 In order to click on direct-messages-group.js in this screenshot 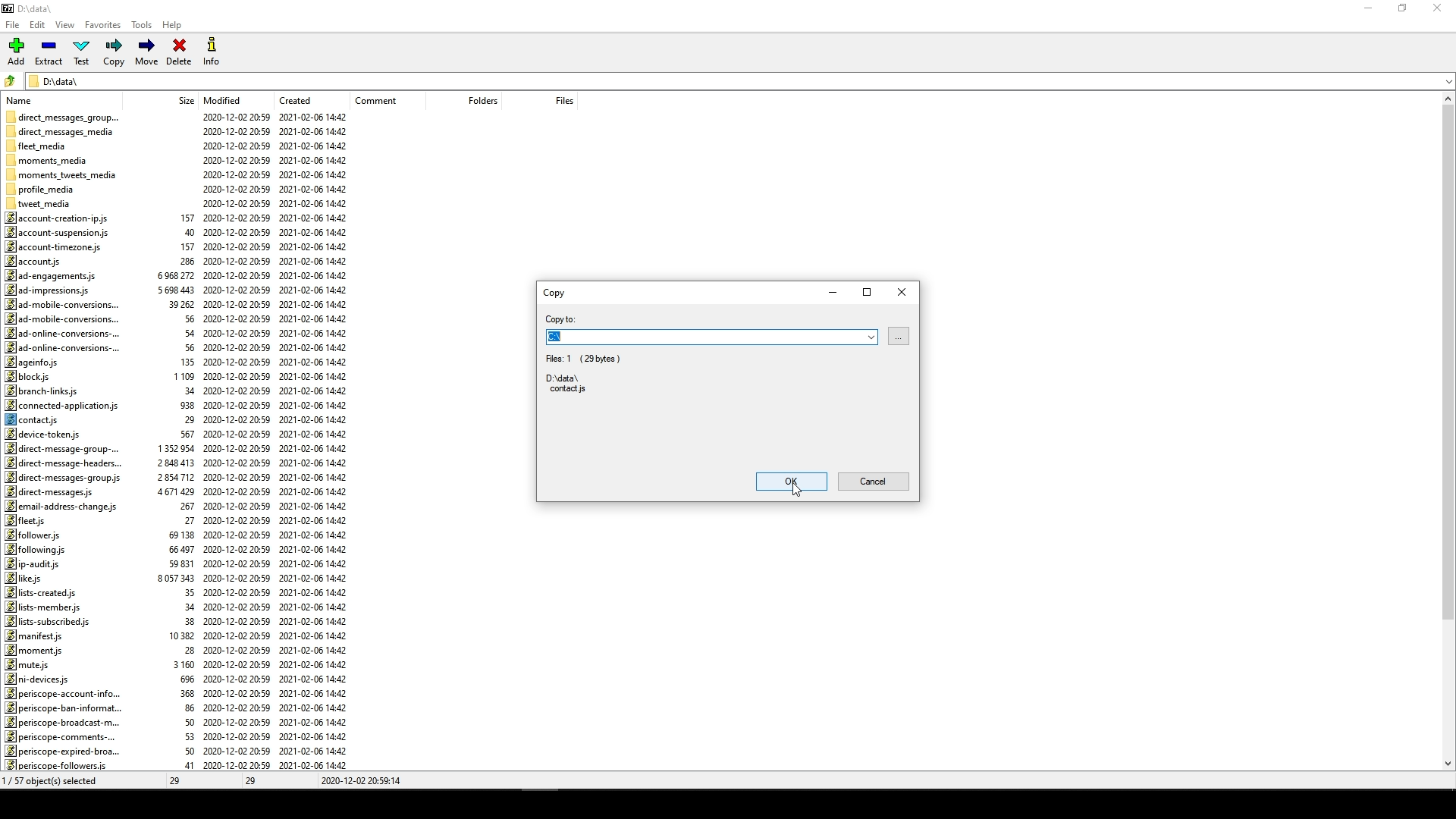, I will do `click(64, 479)`.